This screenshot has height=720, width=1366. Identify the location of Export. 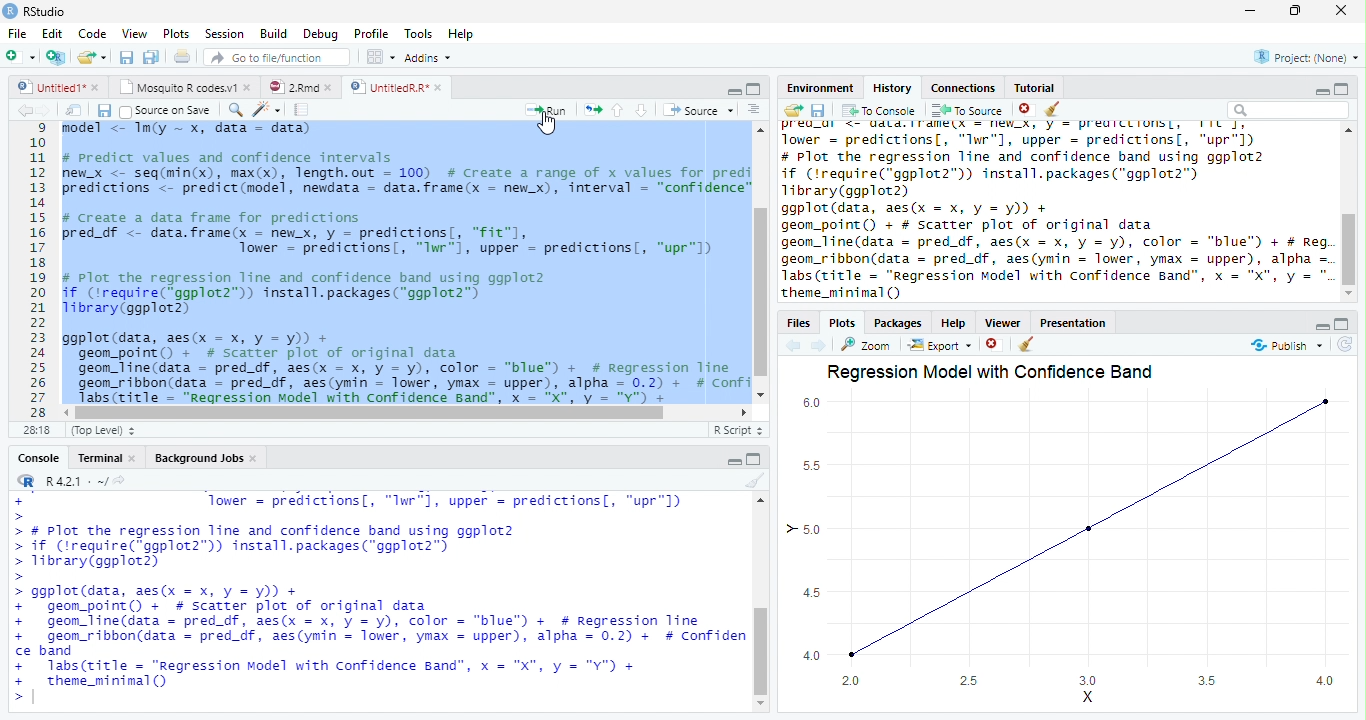
(939, 346).